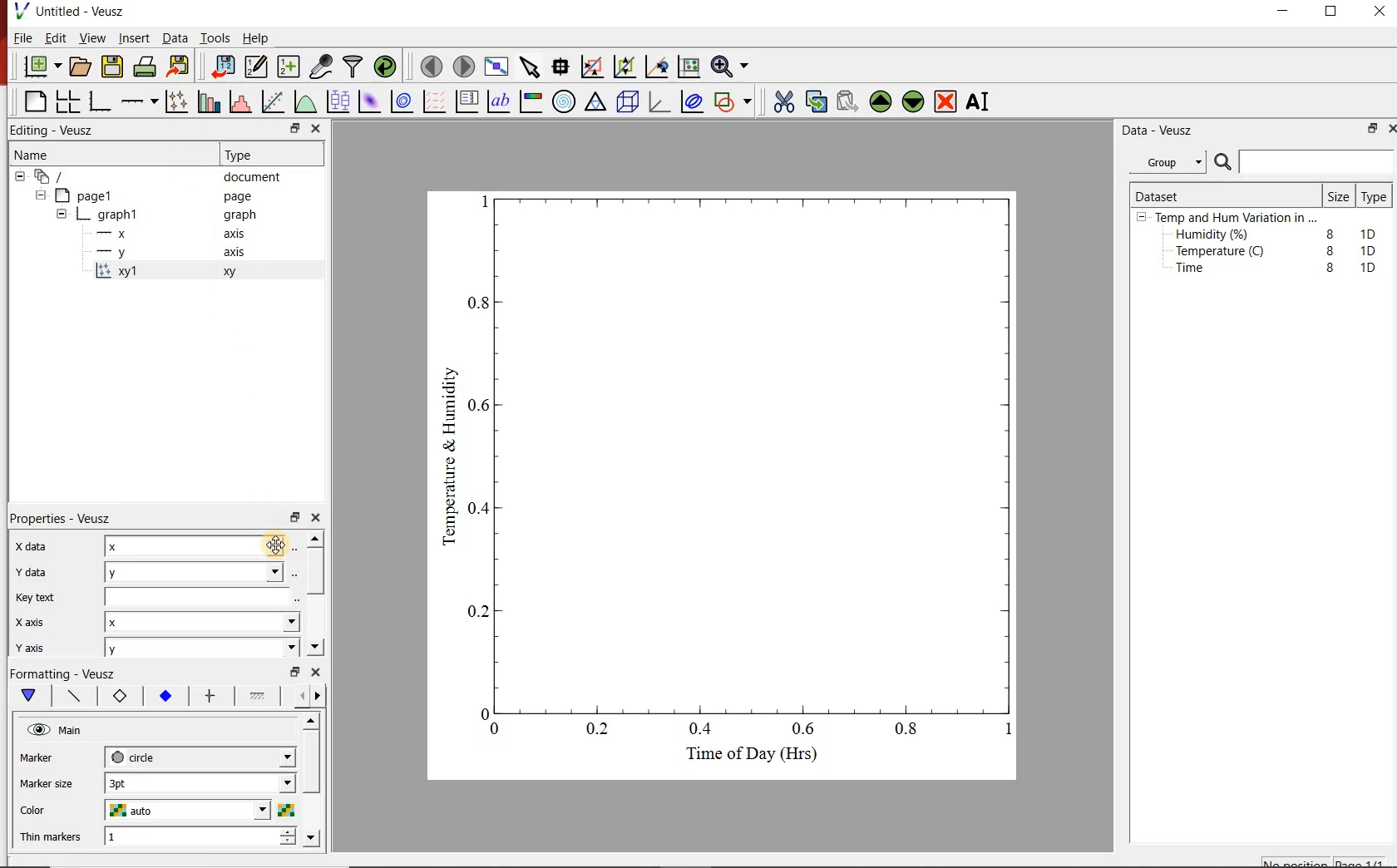 Image resolution: width=1397 pixels, height=868 pixels. I want to click on Group., so click(1171, 159).